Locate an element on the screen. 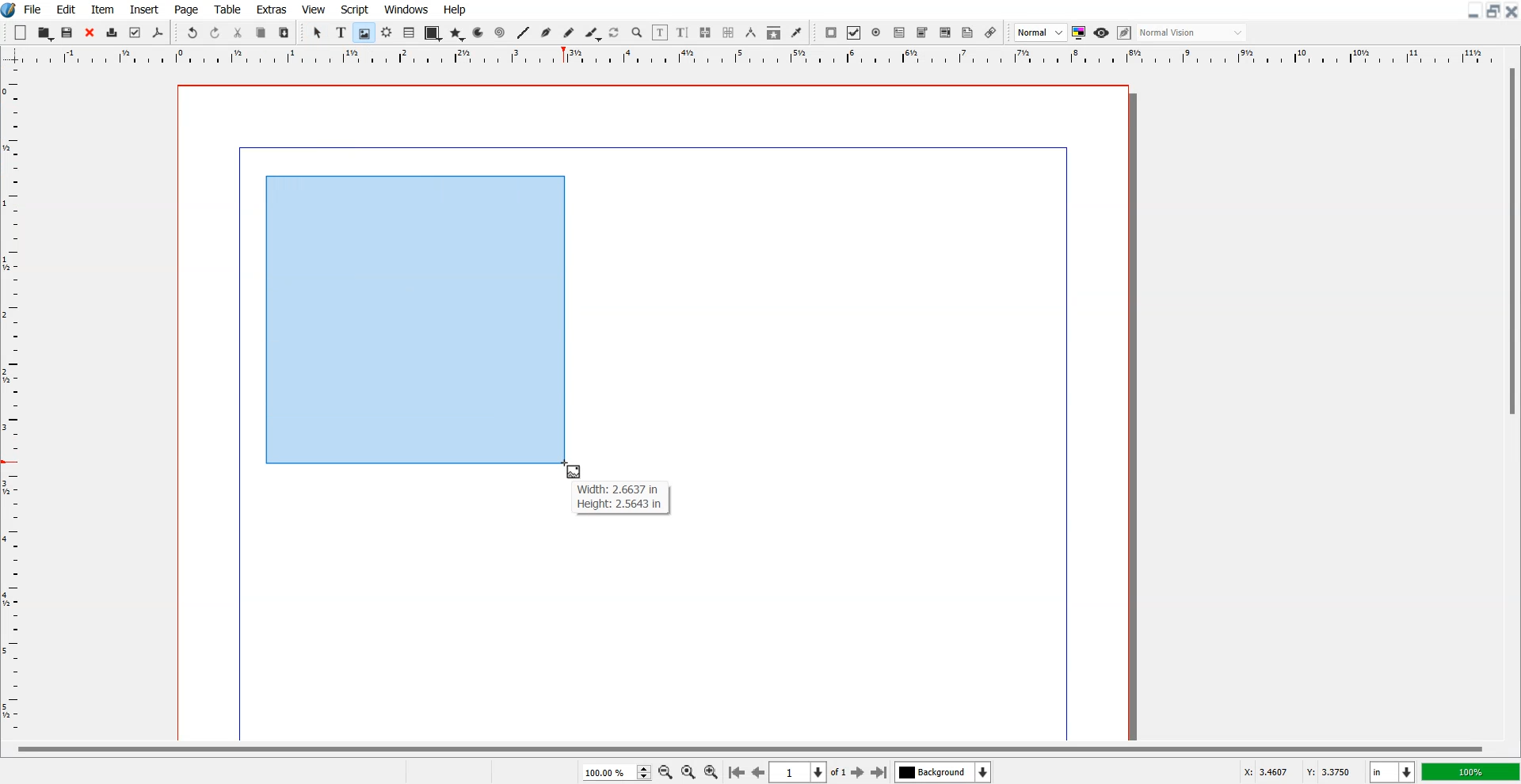  PDF Check Box is located at coordinates (854, 32).